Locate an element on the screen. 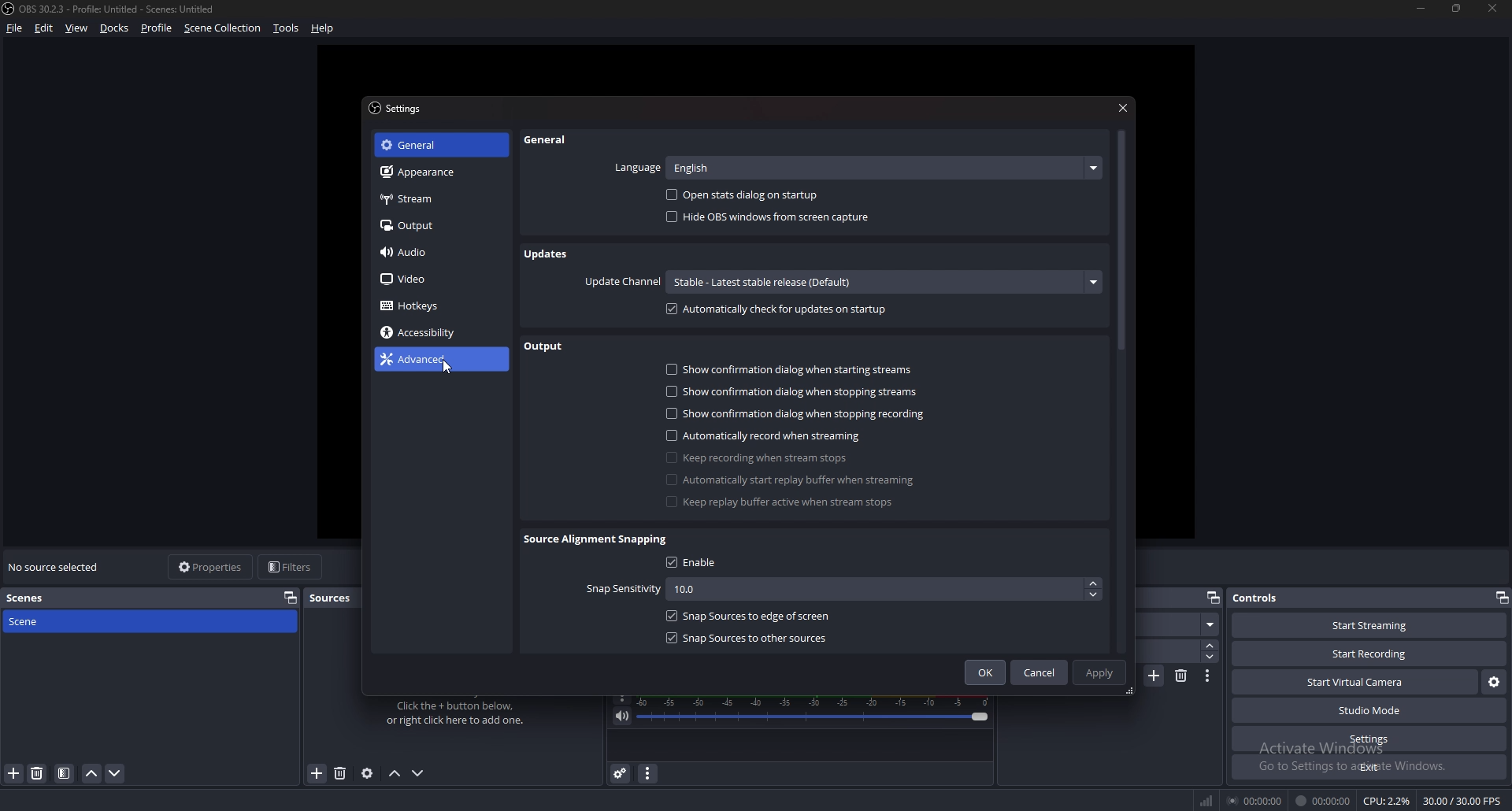 This screenshot has width=1512, height=811. move sources down is located at coordinates (419, 773).